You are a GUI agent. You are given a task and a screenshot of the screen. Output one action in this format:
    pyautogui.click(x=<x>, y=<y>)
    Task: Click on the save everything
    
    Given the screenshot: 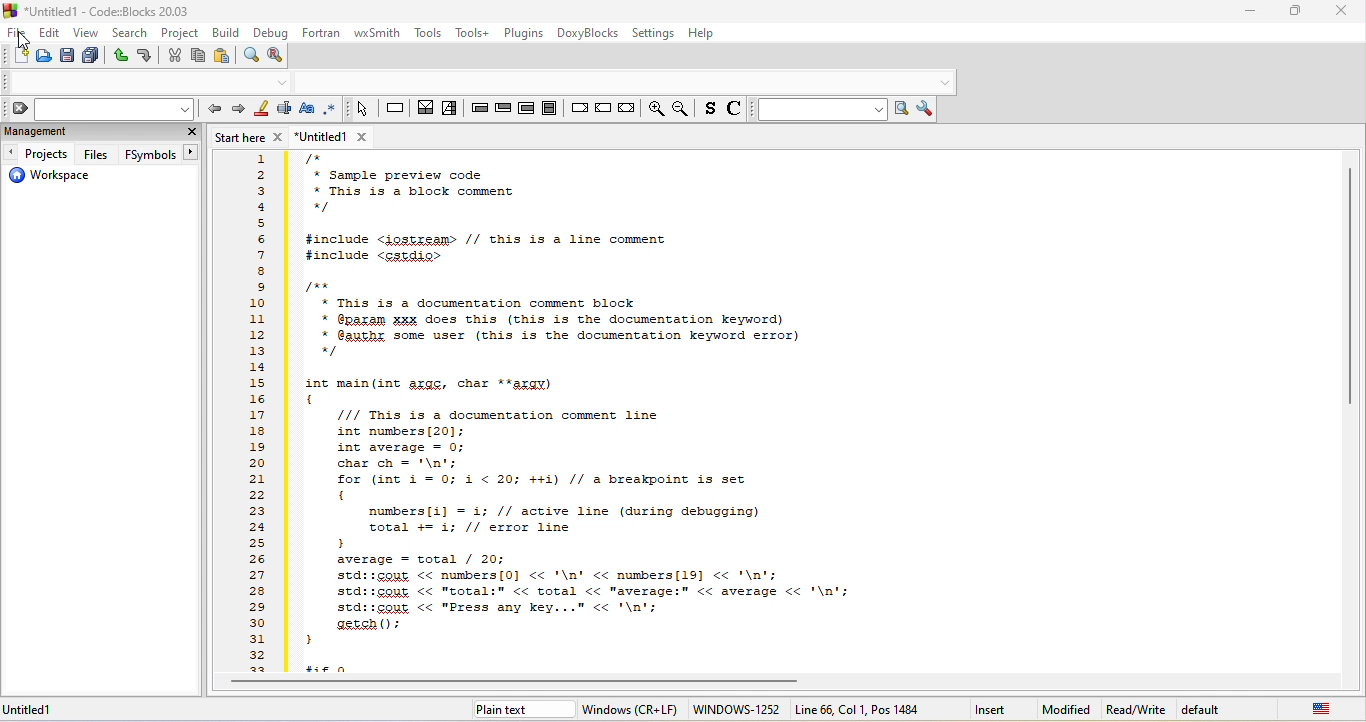 What is the action you would take?
    pyautogui.click(x=89, y=57)
    